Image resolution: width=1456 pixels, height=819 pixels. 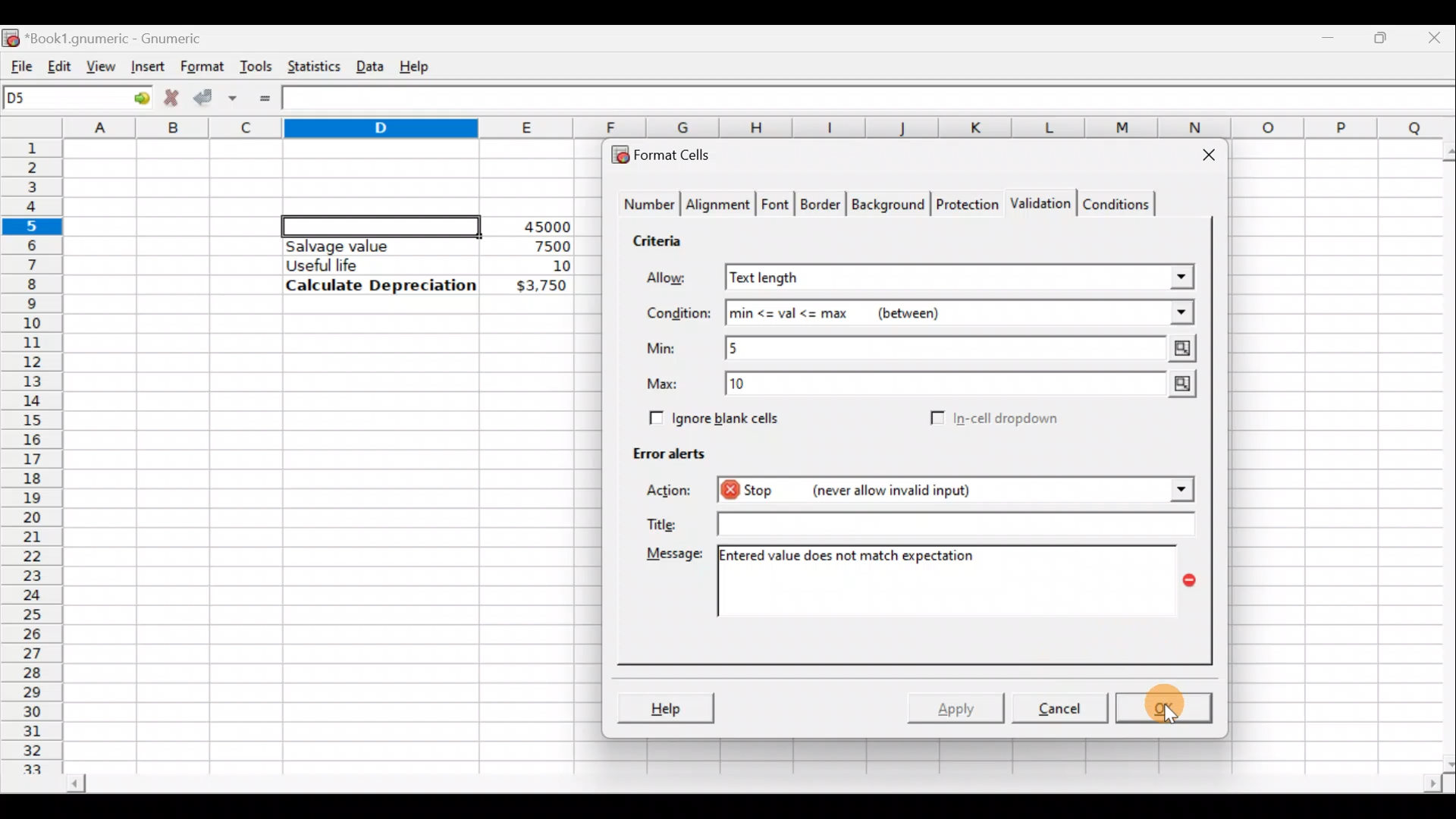 What do you see at coordinates (663, 238) in the screenshot?
I see `Criteria` at bounding box center [663, 238].